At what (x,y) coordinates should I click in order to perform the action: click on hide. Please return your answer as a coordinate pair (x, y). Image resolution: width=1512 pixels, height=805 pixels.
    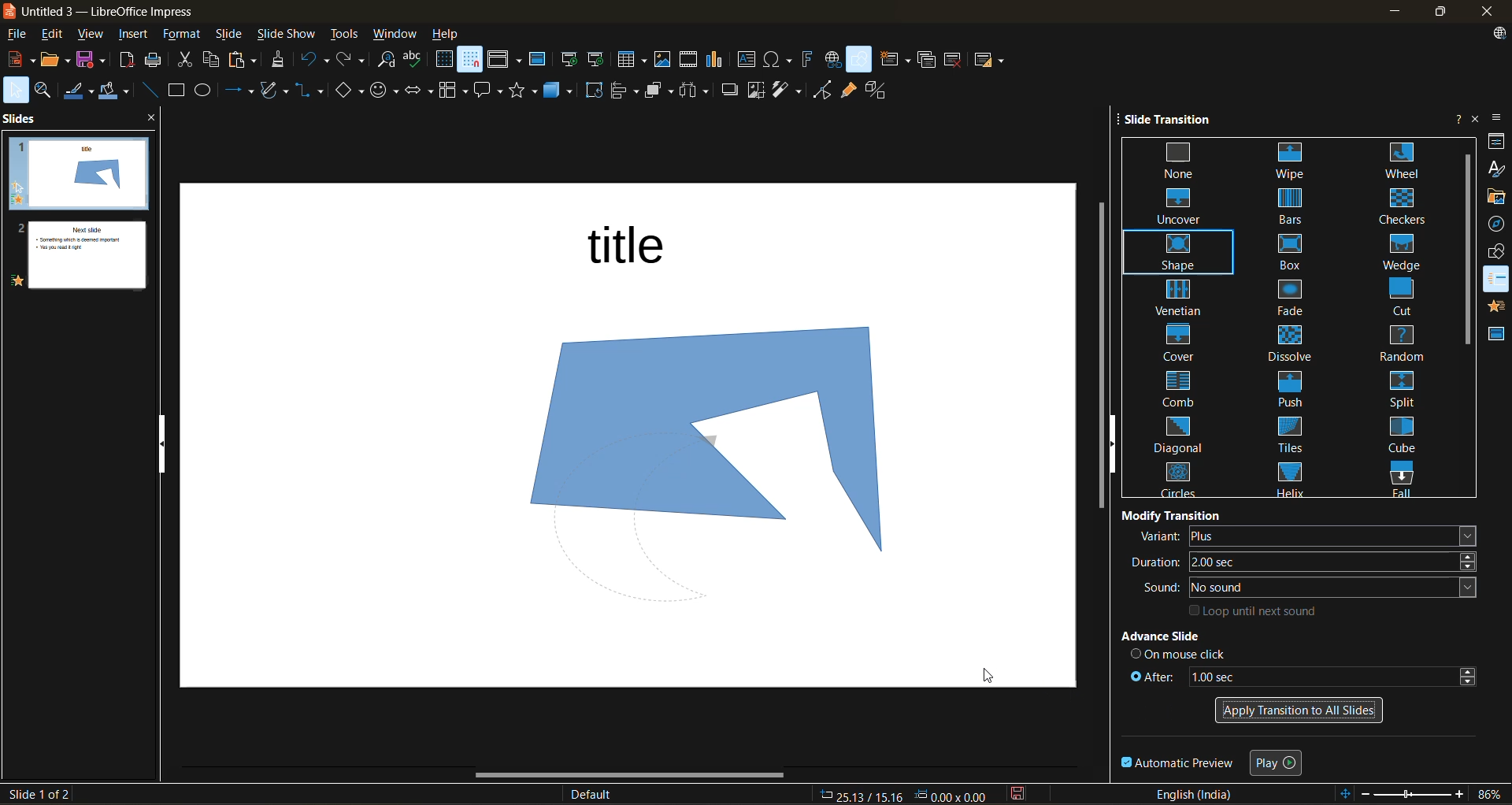
    Looking at the image, I should click on (166, 446).